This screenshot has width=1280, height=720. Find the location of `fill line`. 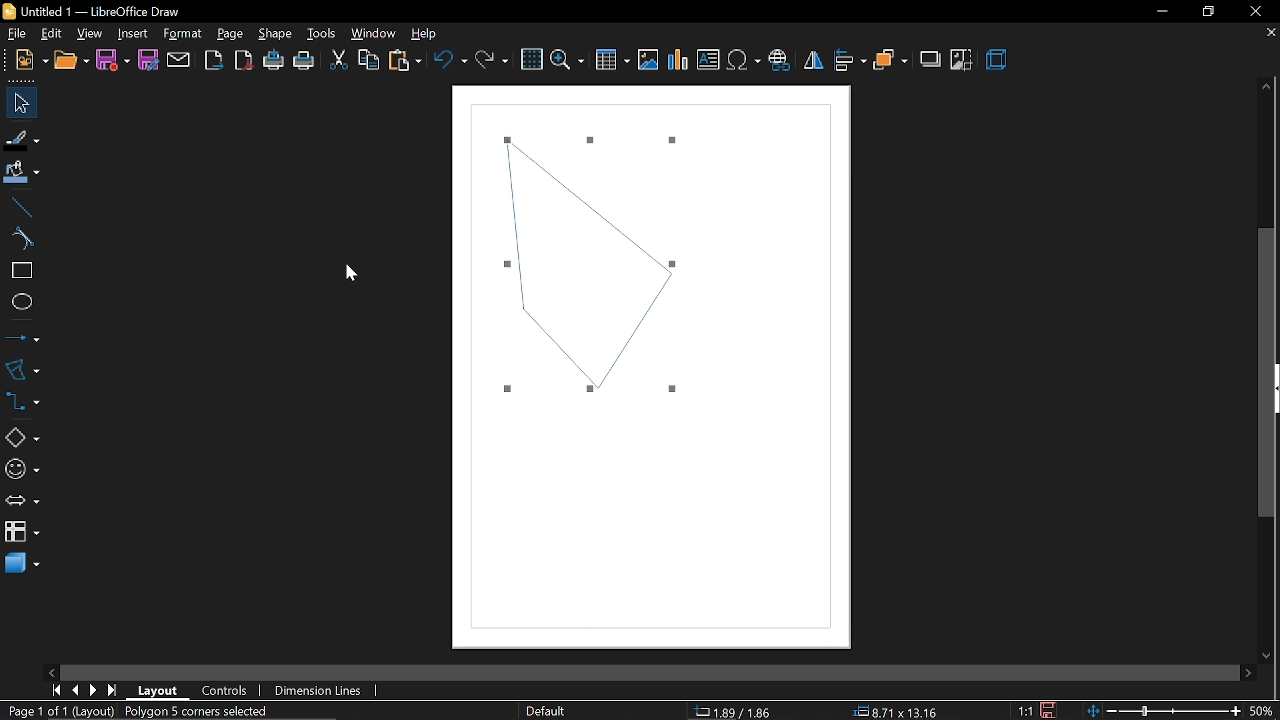

fill line is located at coordinates (20, 138).